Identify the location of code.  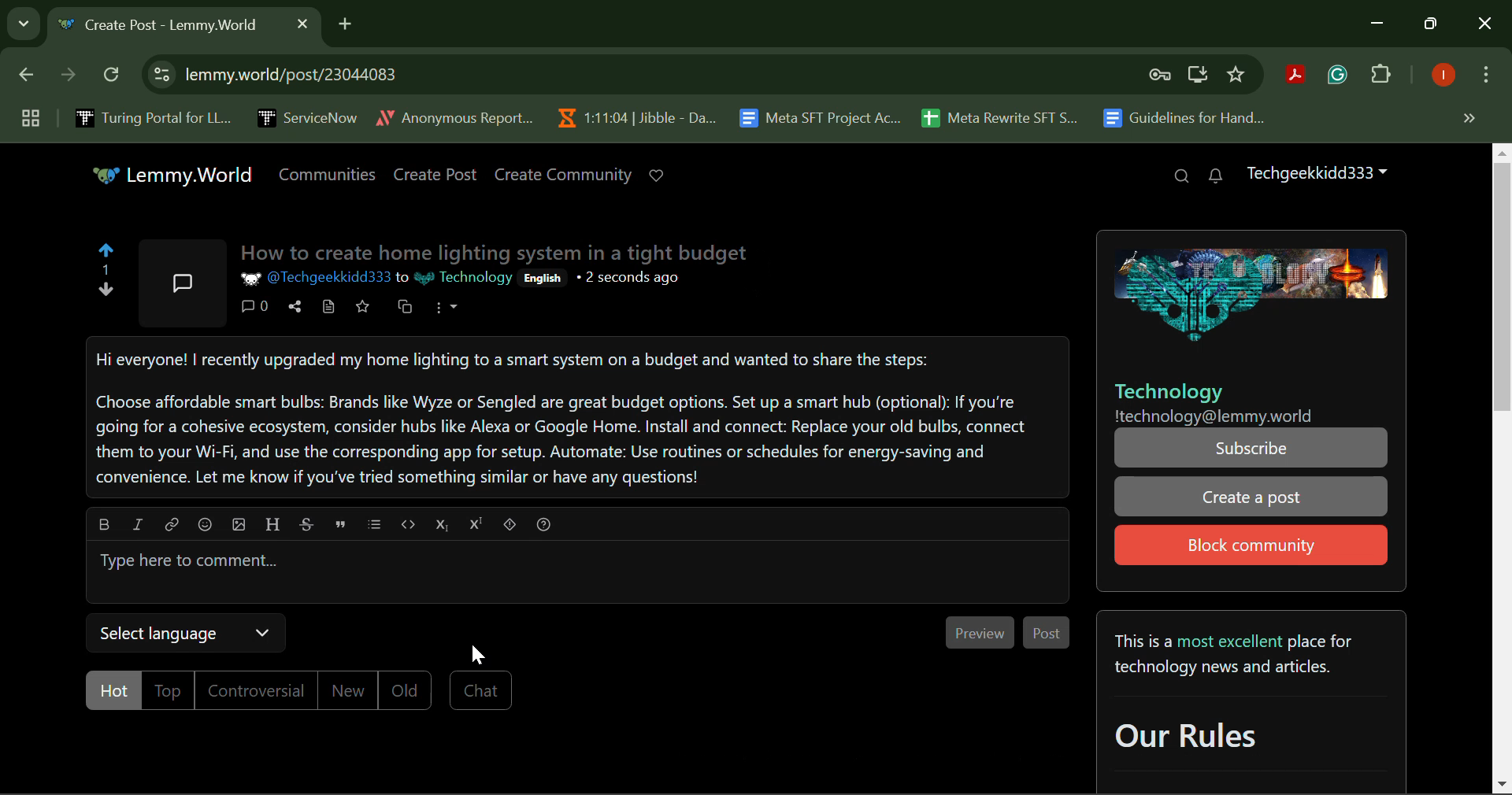
(406, 523).